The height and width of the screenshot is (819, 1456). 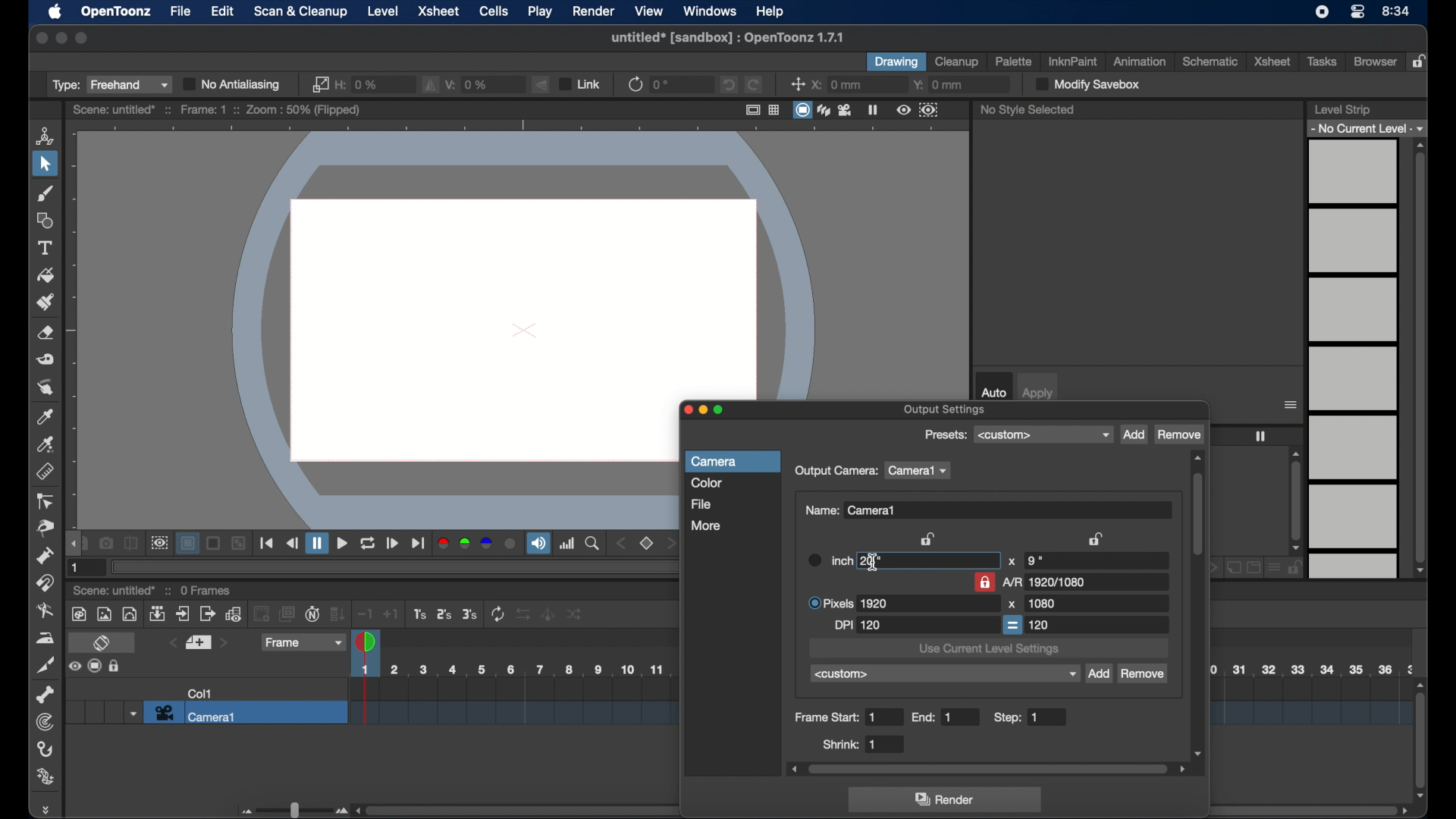 What do you see at coordinates (45, 135) in the screenshot?
I see `animate tool` at bounding box center [45, 135].